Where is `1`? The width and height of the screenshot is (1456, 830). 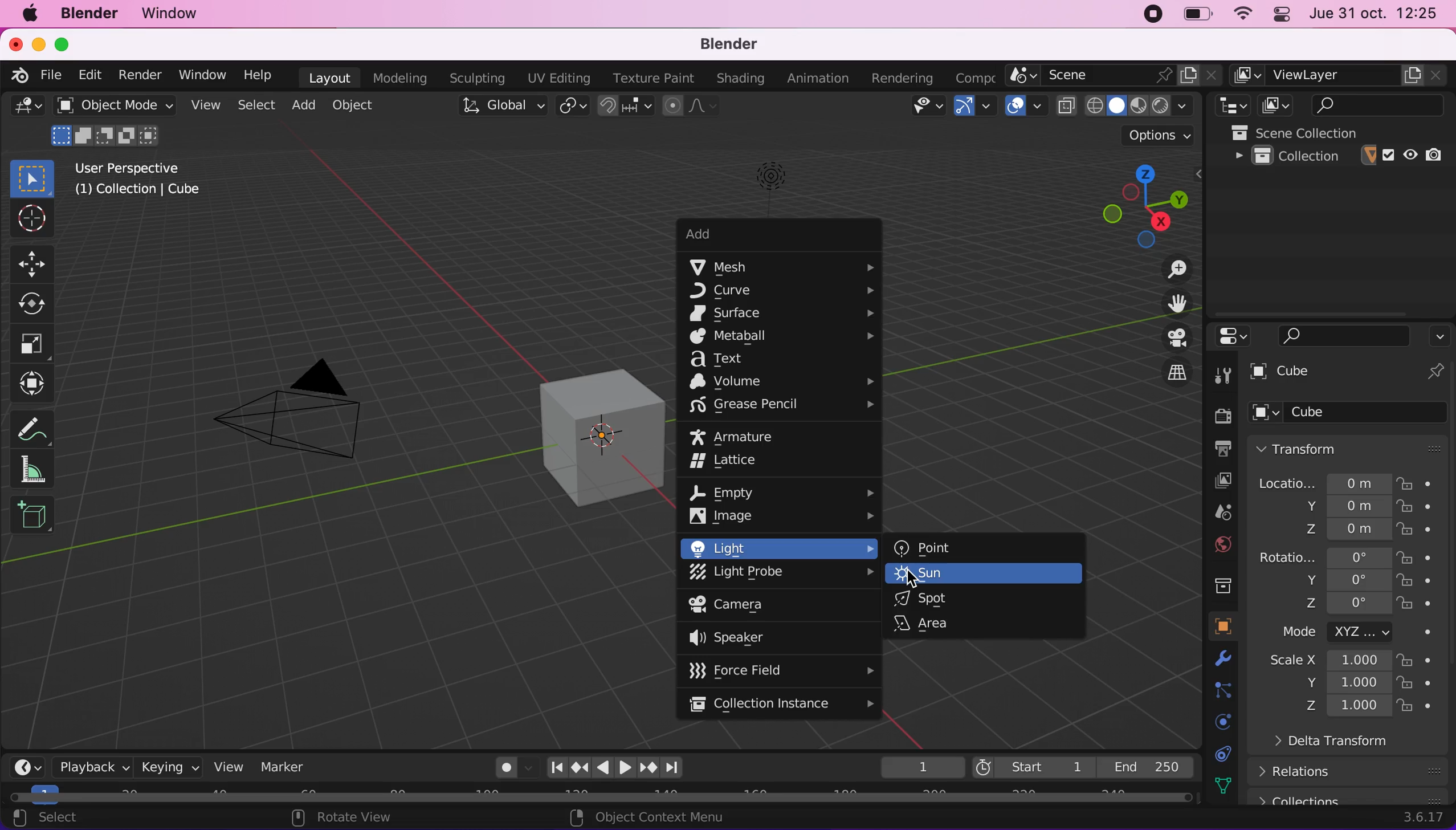
1 is located at coordinates (915, 766).